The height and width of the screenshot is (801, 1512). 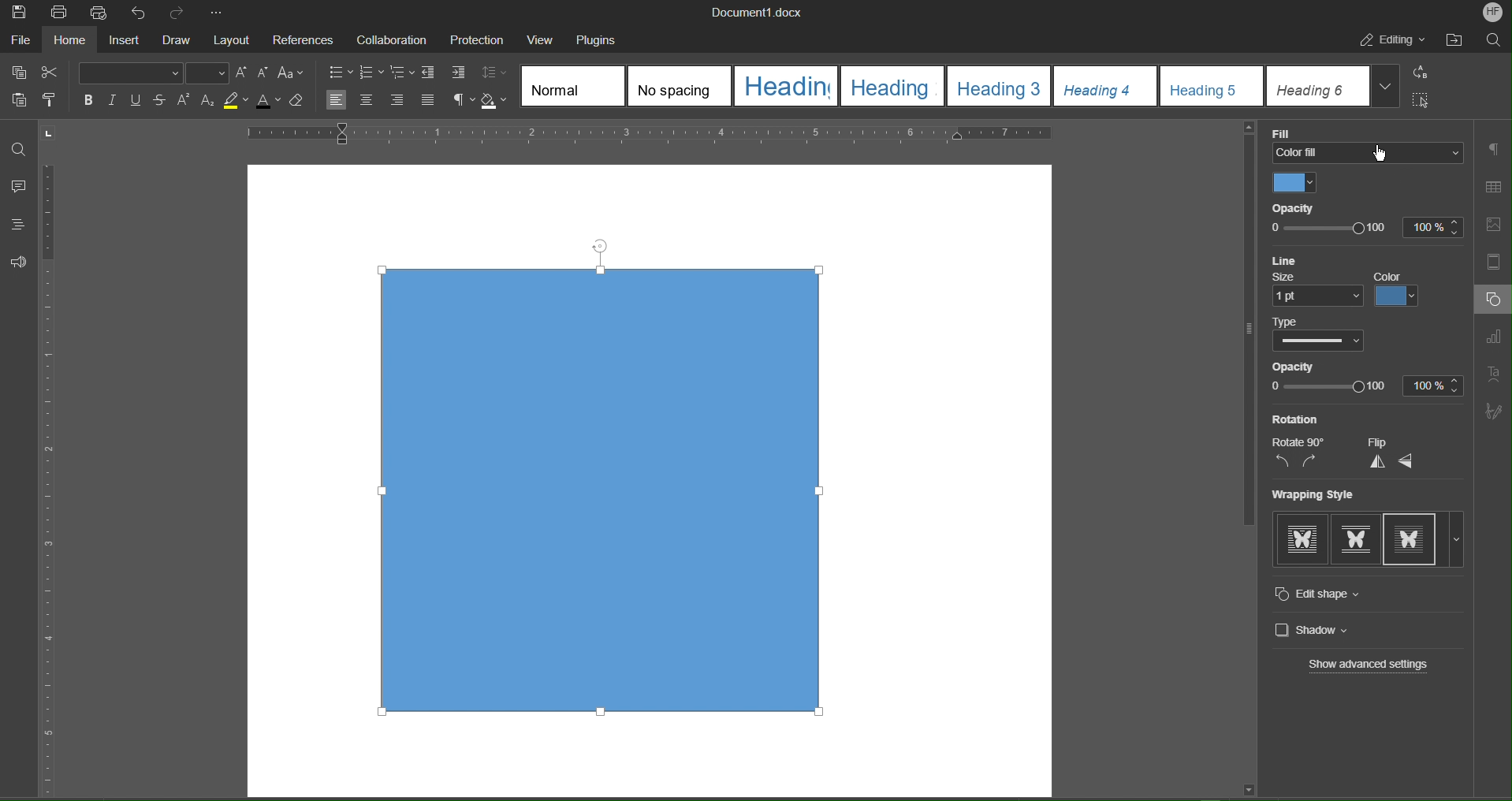 What do you see at coordinates (1324, 207) in the screenshot?
I see `Opacity` at bounding box center [1324, 207].